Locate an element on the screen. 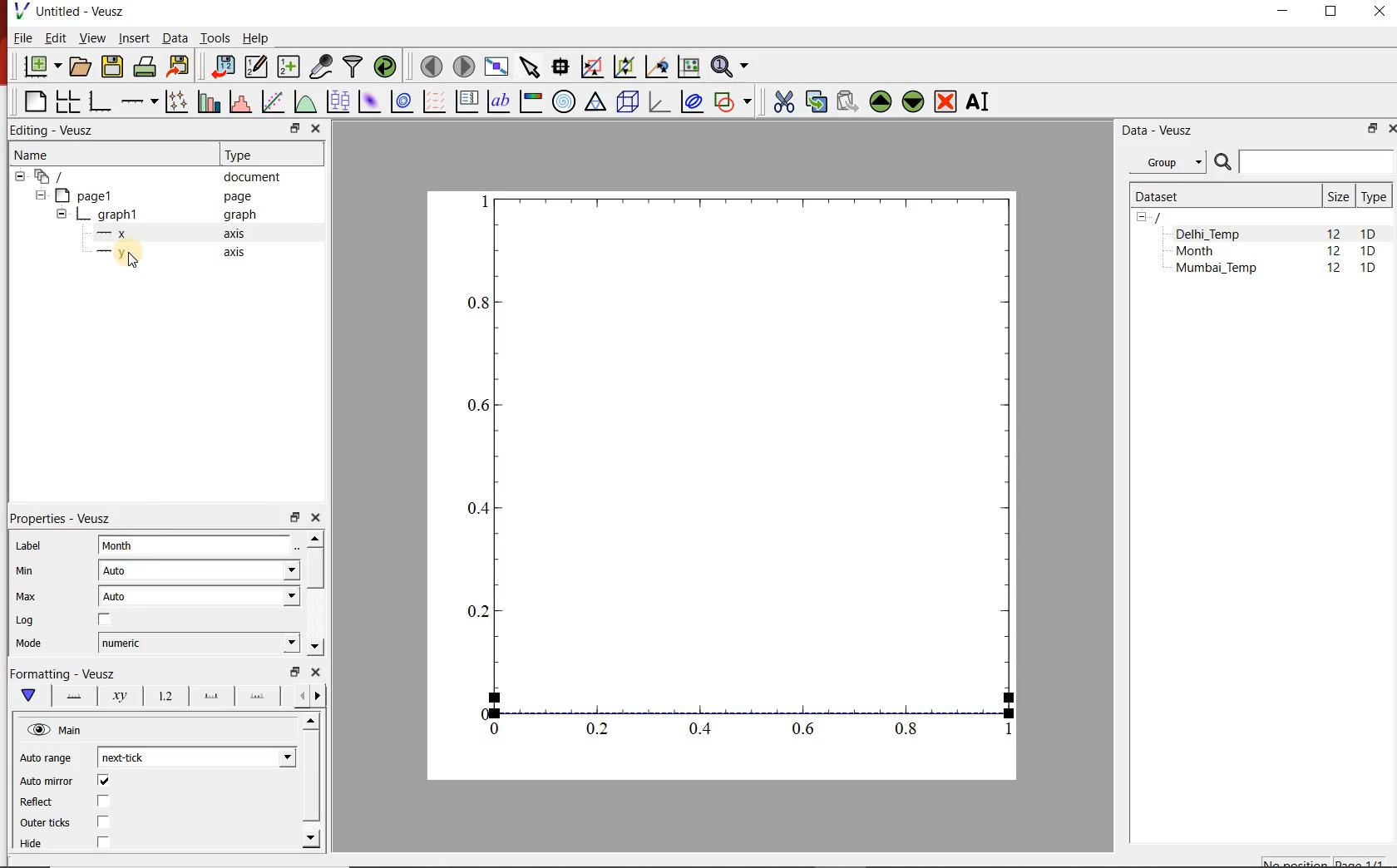 Image resolution: width=1397 pixels, height=868 pixels. select items from the graph or scroll is located at coordinates (531, 67).